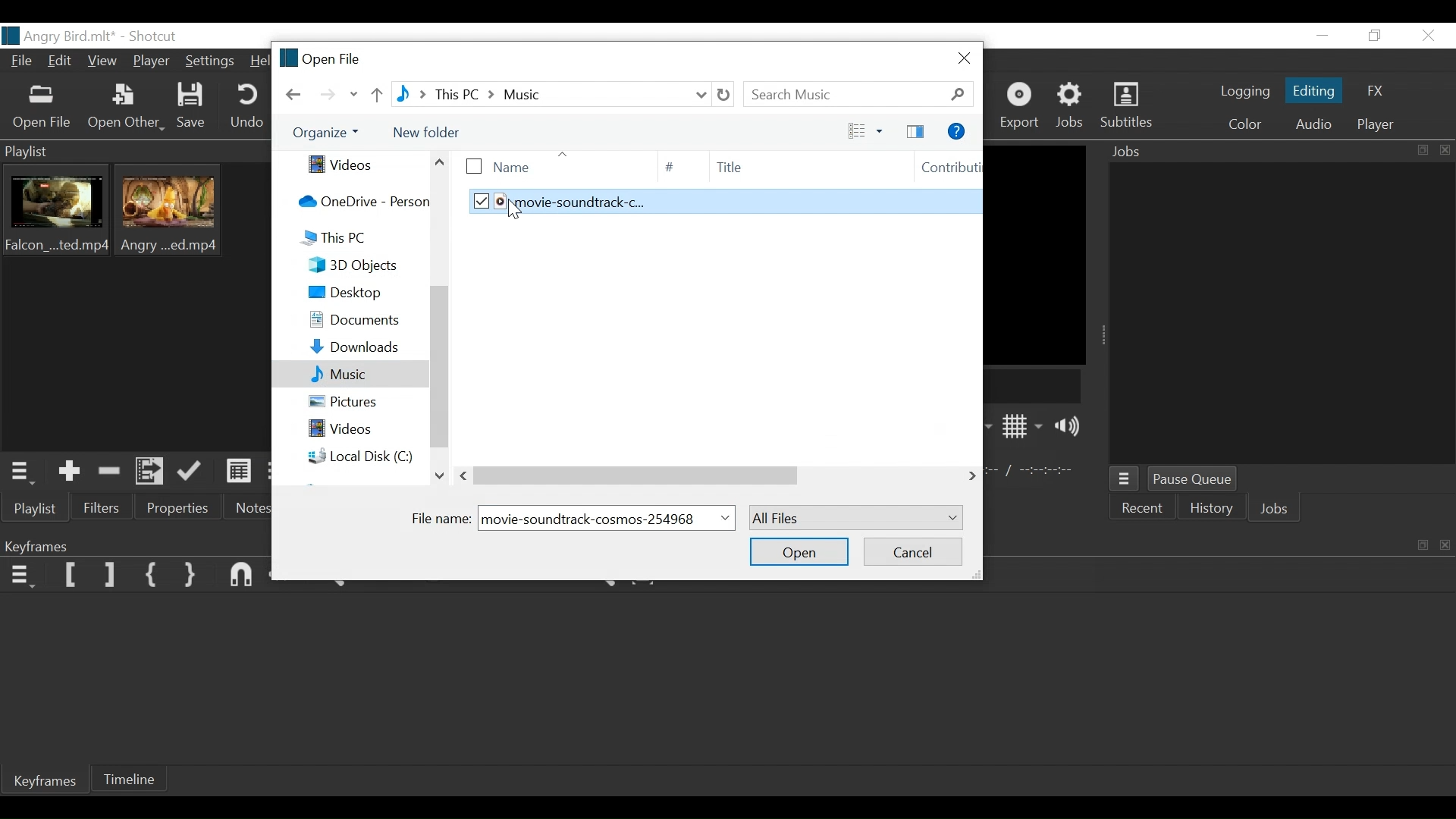  I want to click on Close, so click(961, 58).